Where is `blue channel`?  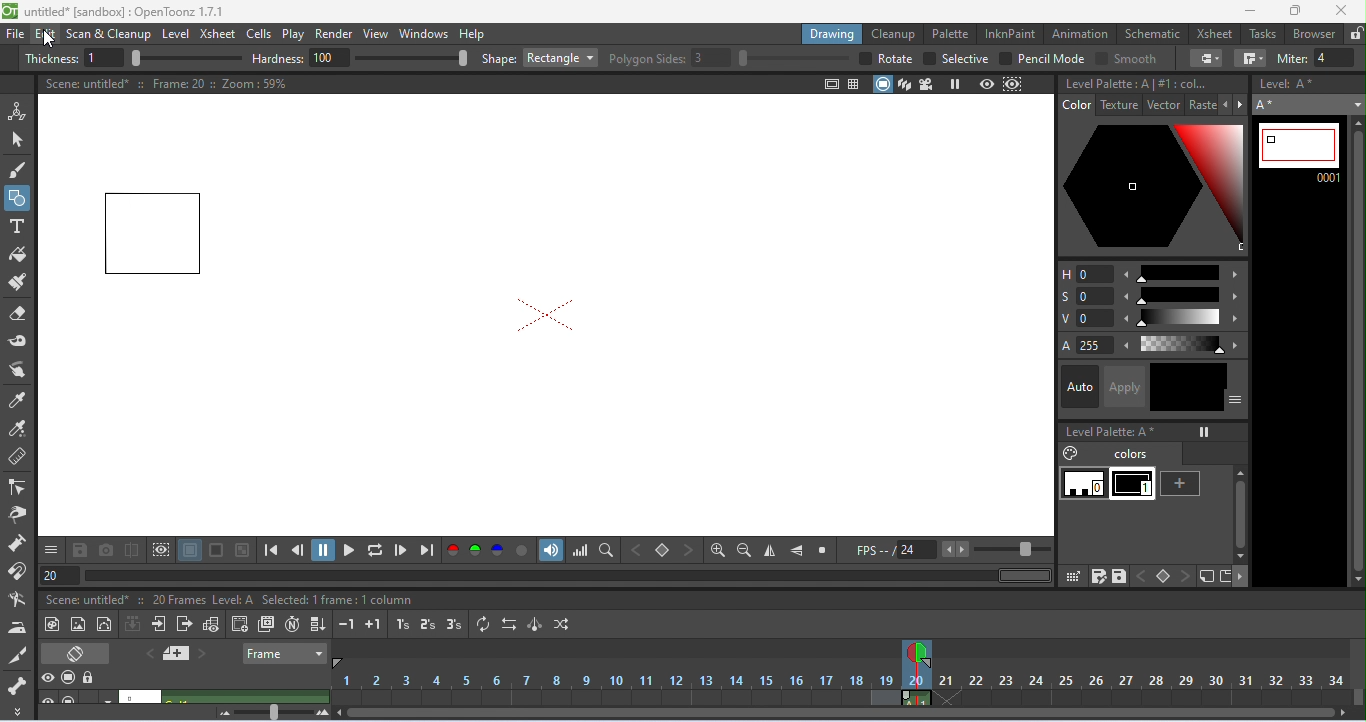 blue channel is located at coordinates (497, 550).